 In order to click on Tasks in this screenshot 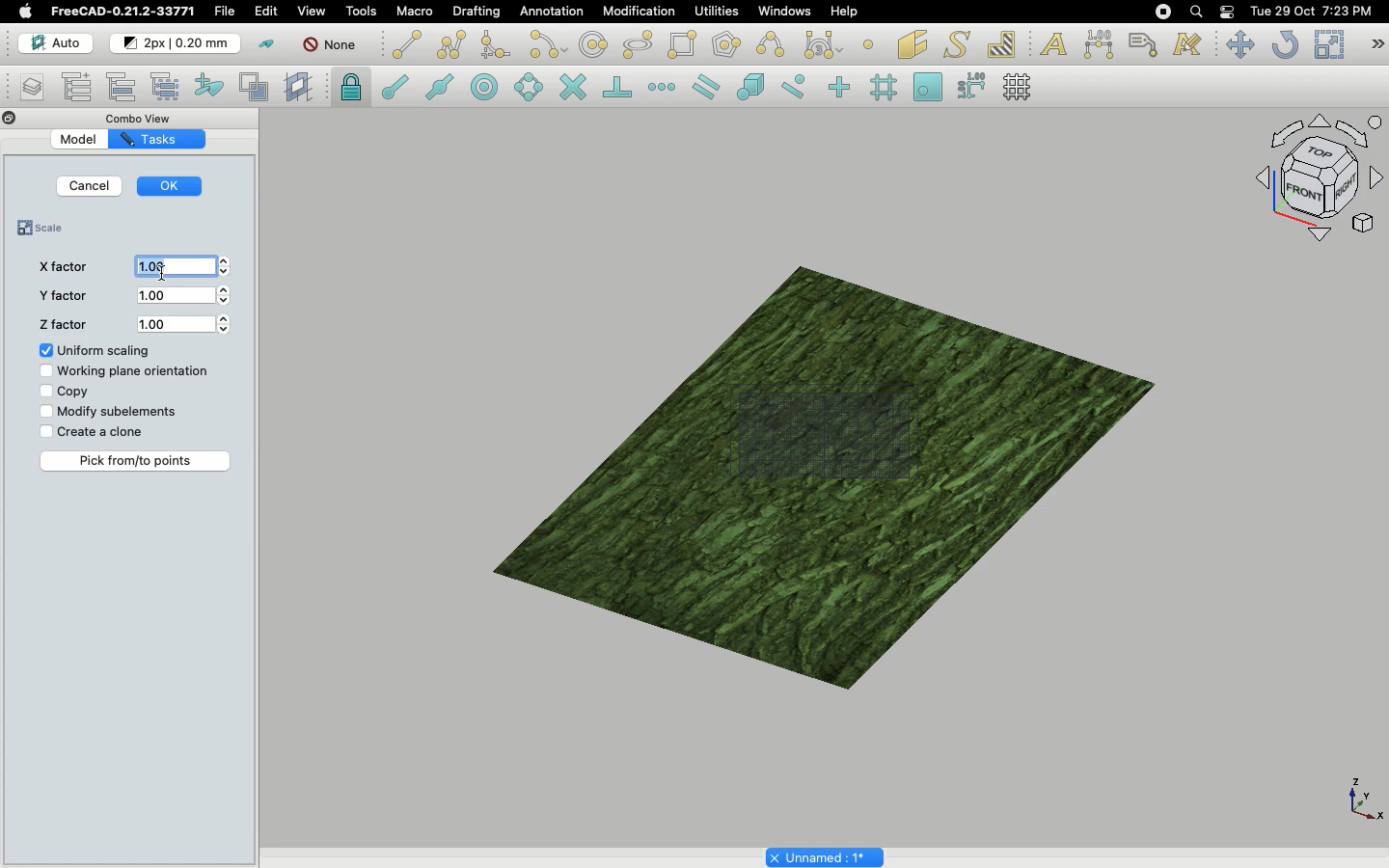, I will do `click(151, 139)`.